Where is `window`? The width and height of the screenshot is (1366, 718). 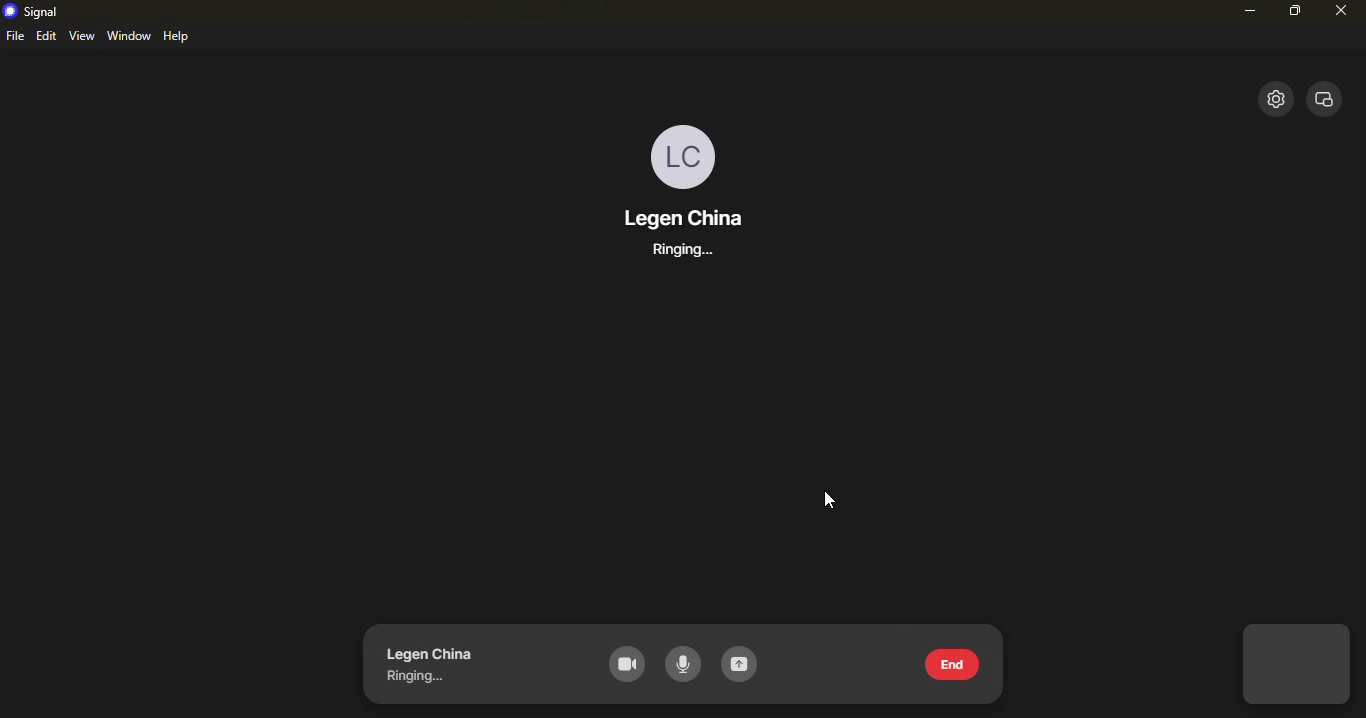
window is located at coordinates (129, 35).